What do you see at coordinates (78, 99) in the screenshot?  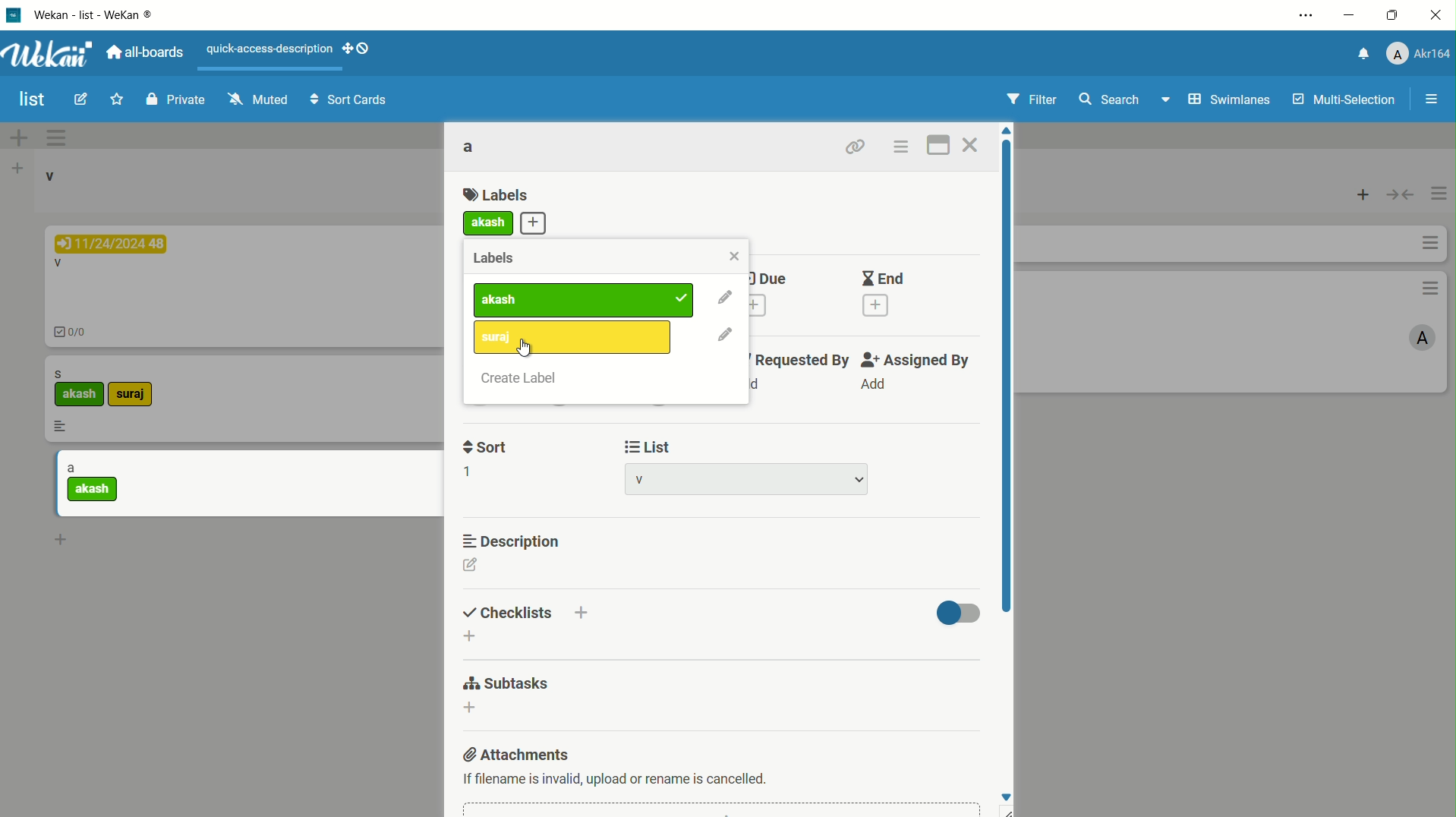 I see `edit` at bounding box center [78, 99].